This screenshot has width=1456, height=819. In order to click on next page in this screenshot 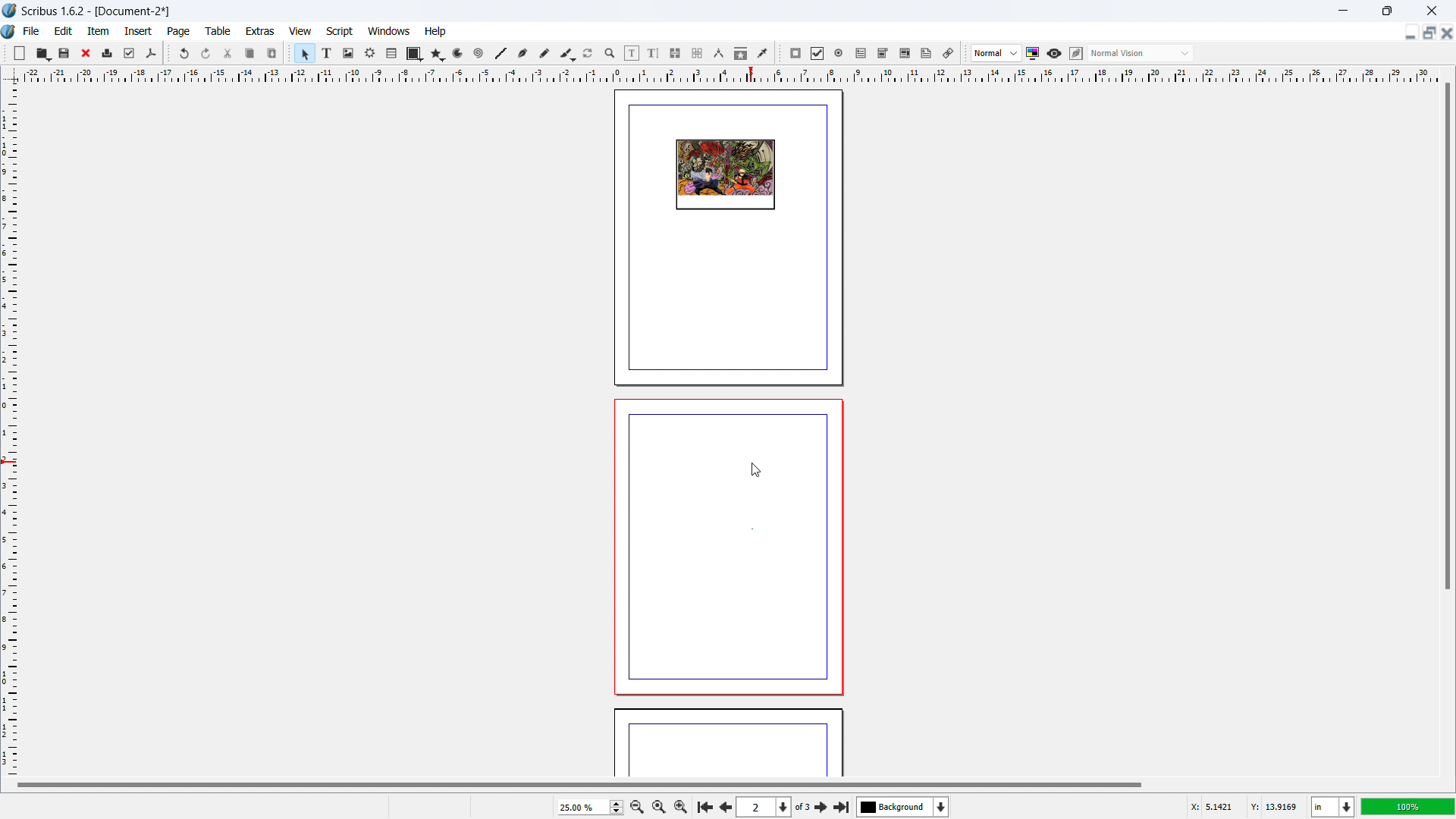, I will do `click(822, 806)`.